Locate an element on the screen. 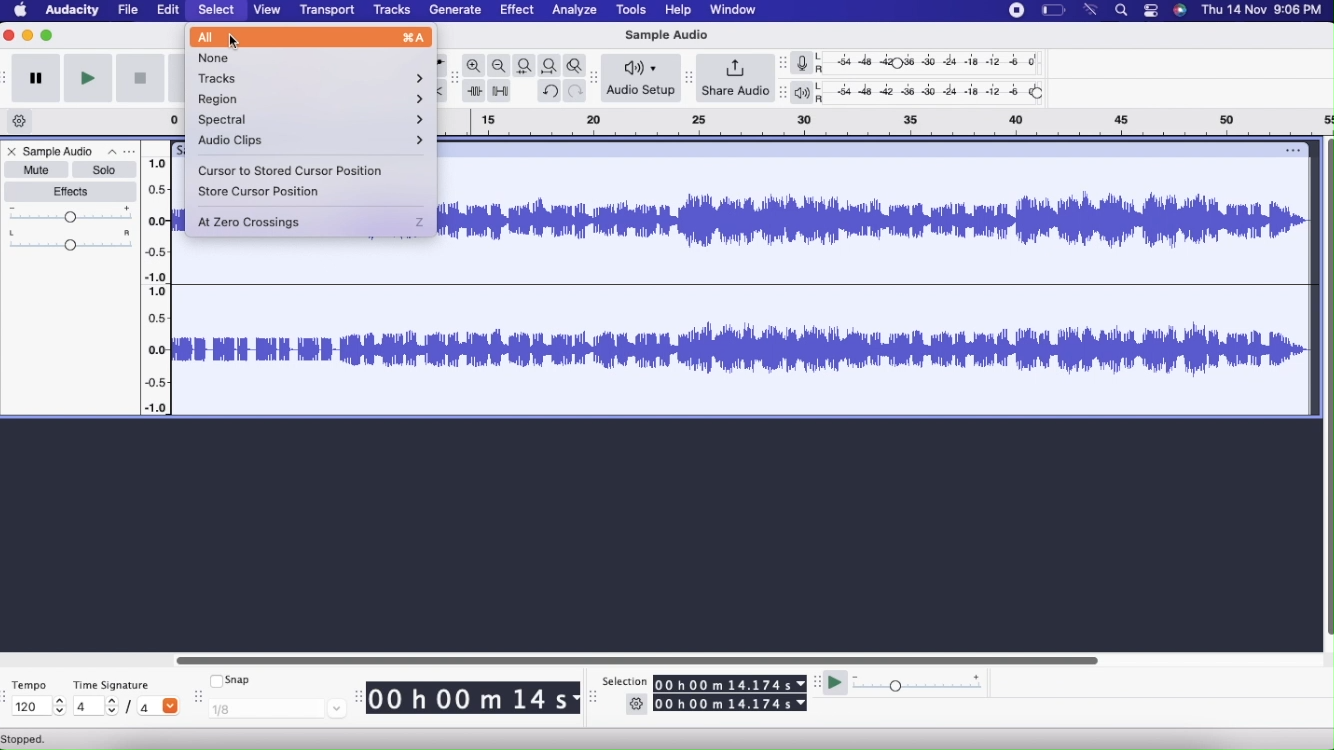  Pan: Center is located at coordinates (69, 242).